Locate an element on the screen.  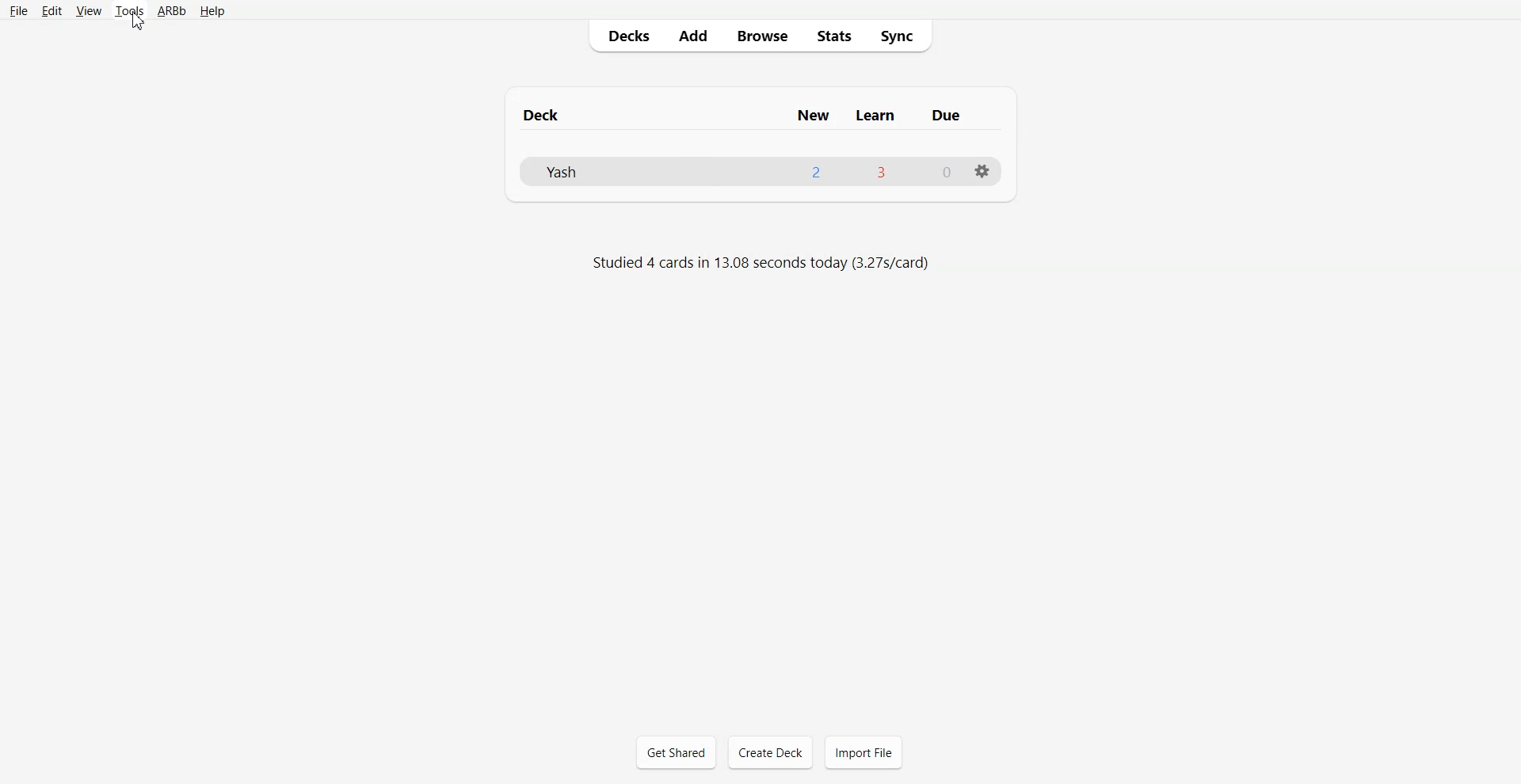
Get Shared is located at coordinates (677, 752).